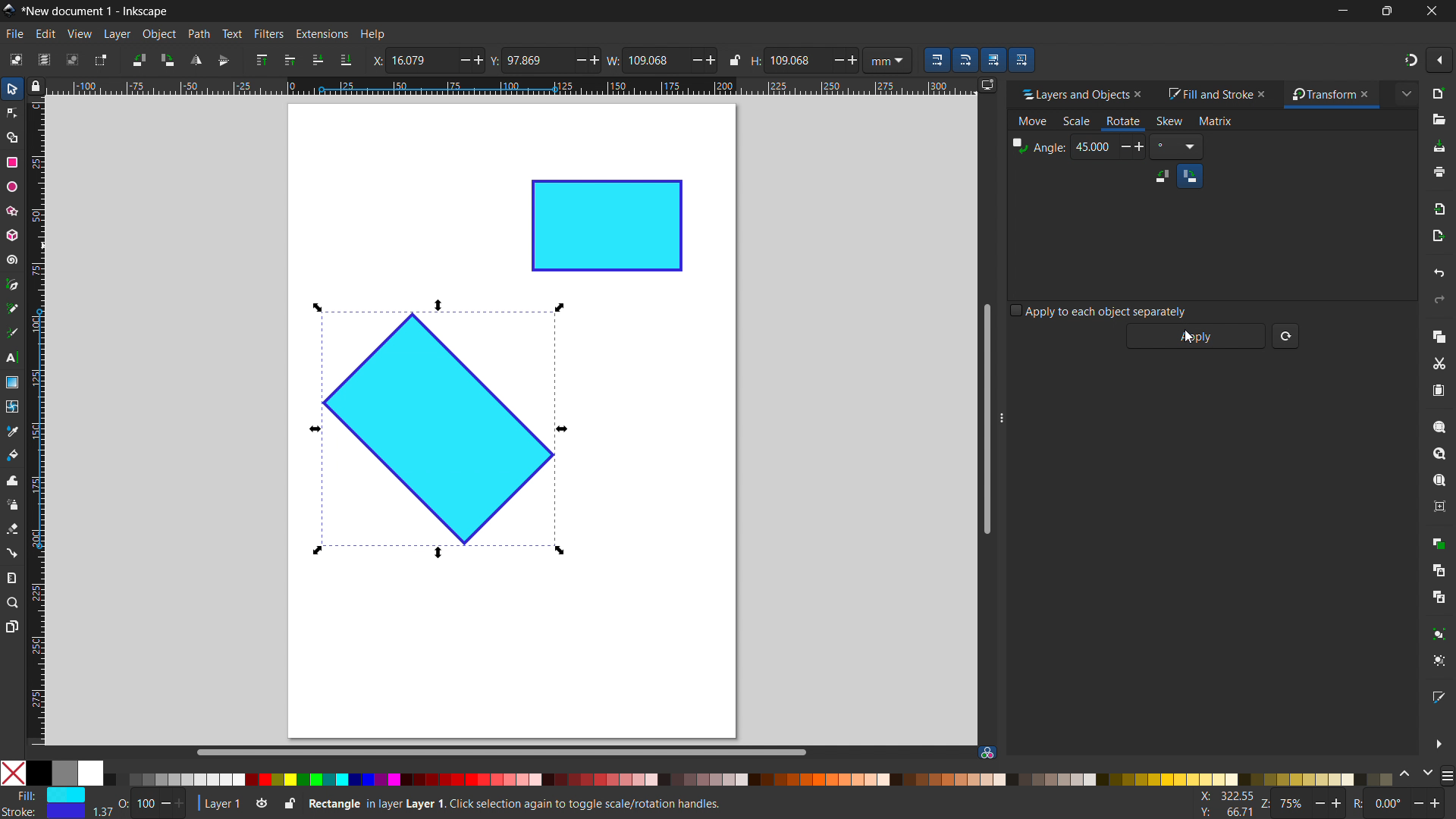 Image resolution: width=1456 pixels, height=819 pixels. What do you see at coordinates (15, 34) in the screenshot?
I see `file` at bounding box center [15, 34].